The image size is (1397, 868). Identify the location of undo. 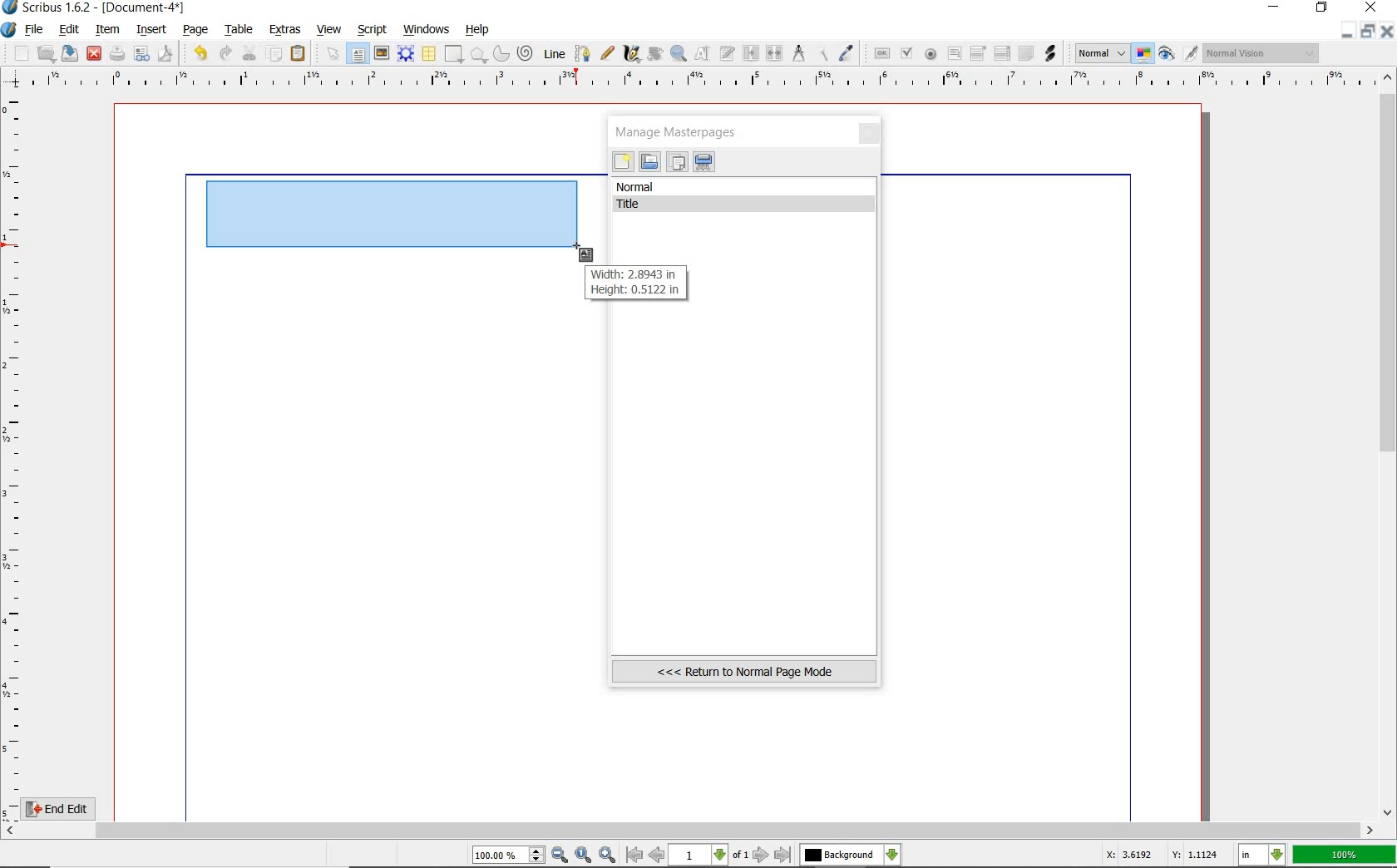
(197, 52).